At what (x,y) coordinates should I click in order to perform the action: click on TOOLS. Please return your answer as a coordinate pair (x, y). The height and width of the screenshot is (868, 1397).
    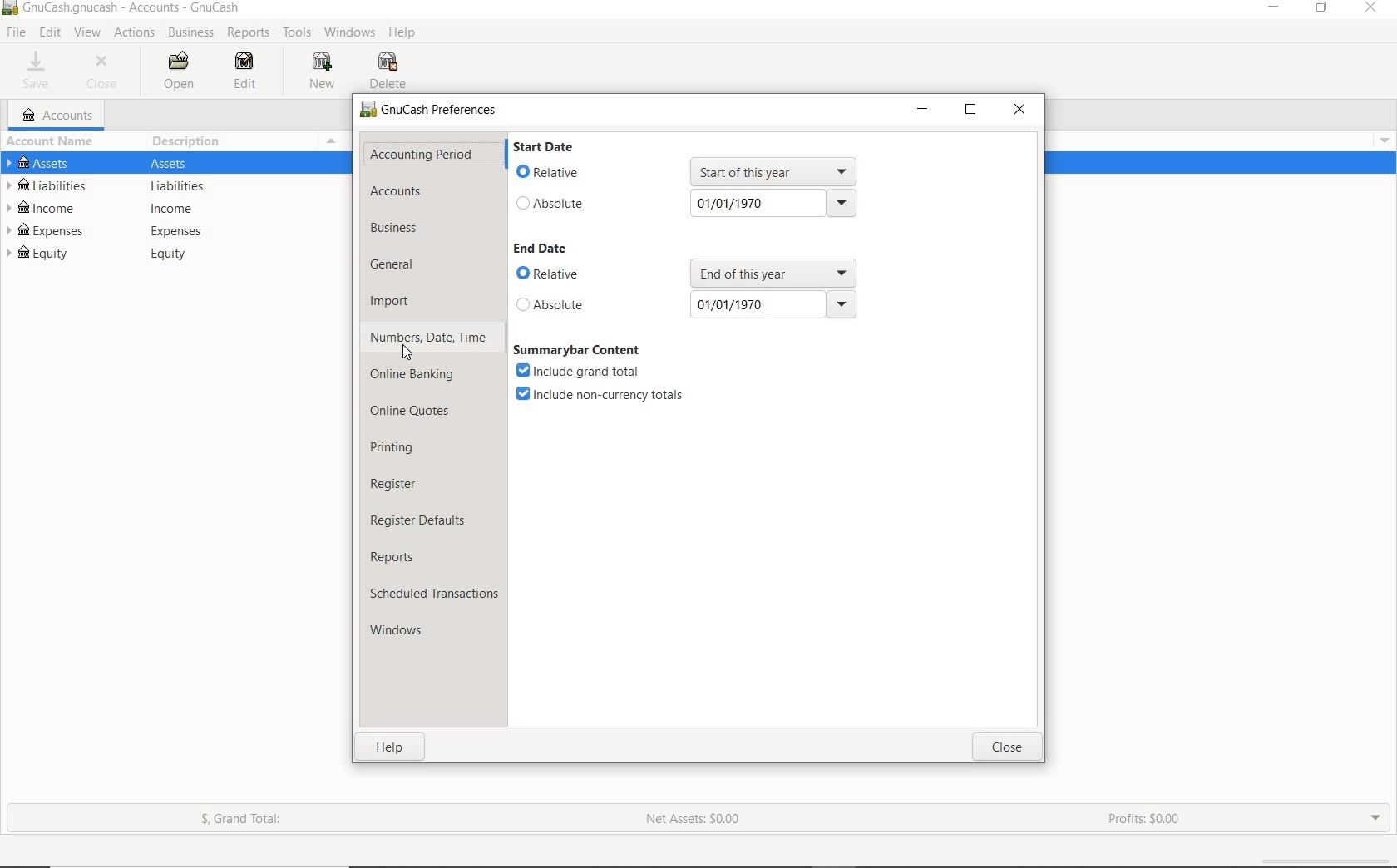
    Looking at the image, I should click on (298, 35).